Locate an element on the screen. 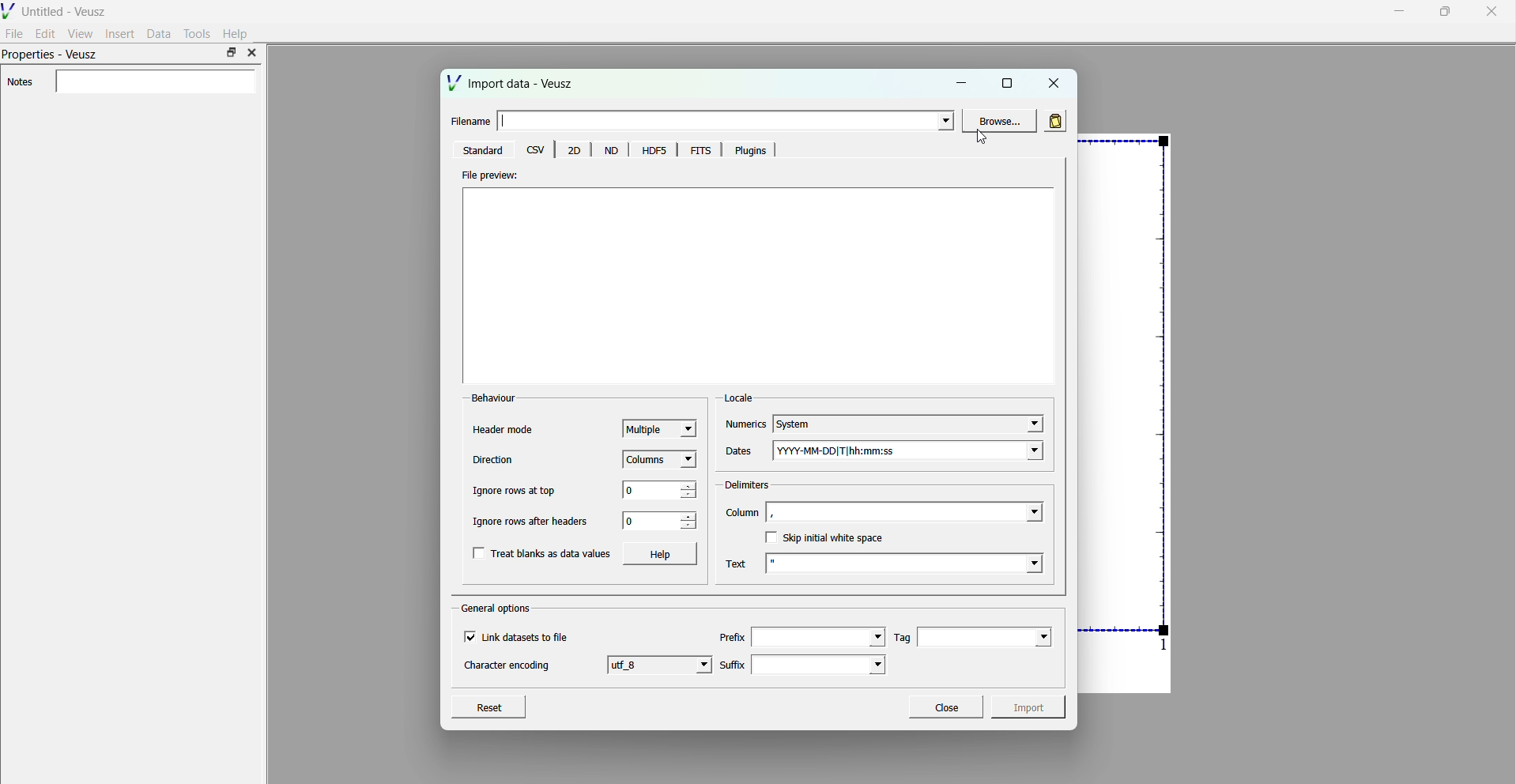 This screenshot has width=1516, height=784. General options. is located at coordinates (498, 609).